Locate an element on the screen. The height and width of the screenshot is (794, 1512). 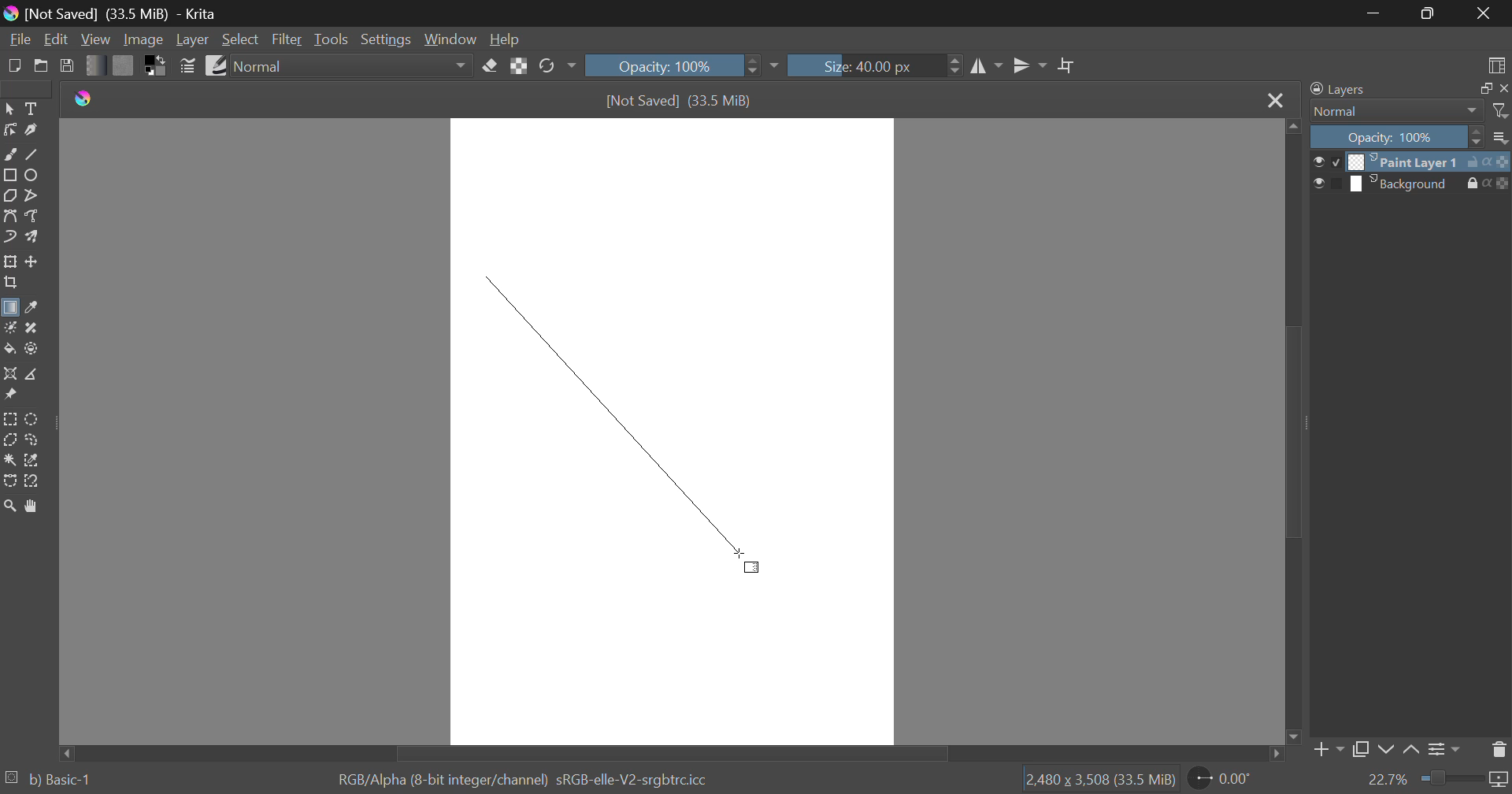
Assistant Tool is located at coordinates (10, 375).